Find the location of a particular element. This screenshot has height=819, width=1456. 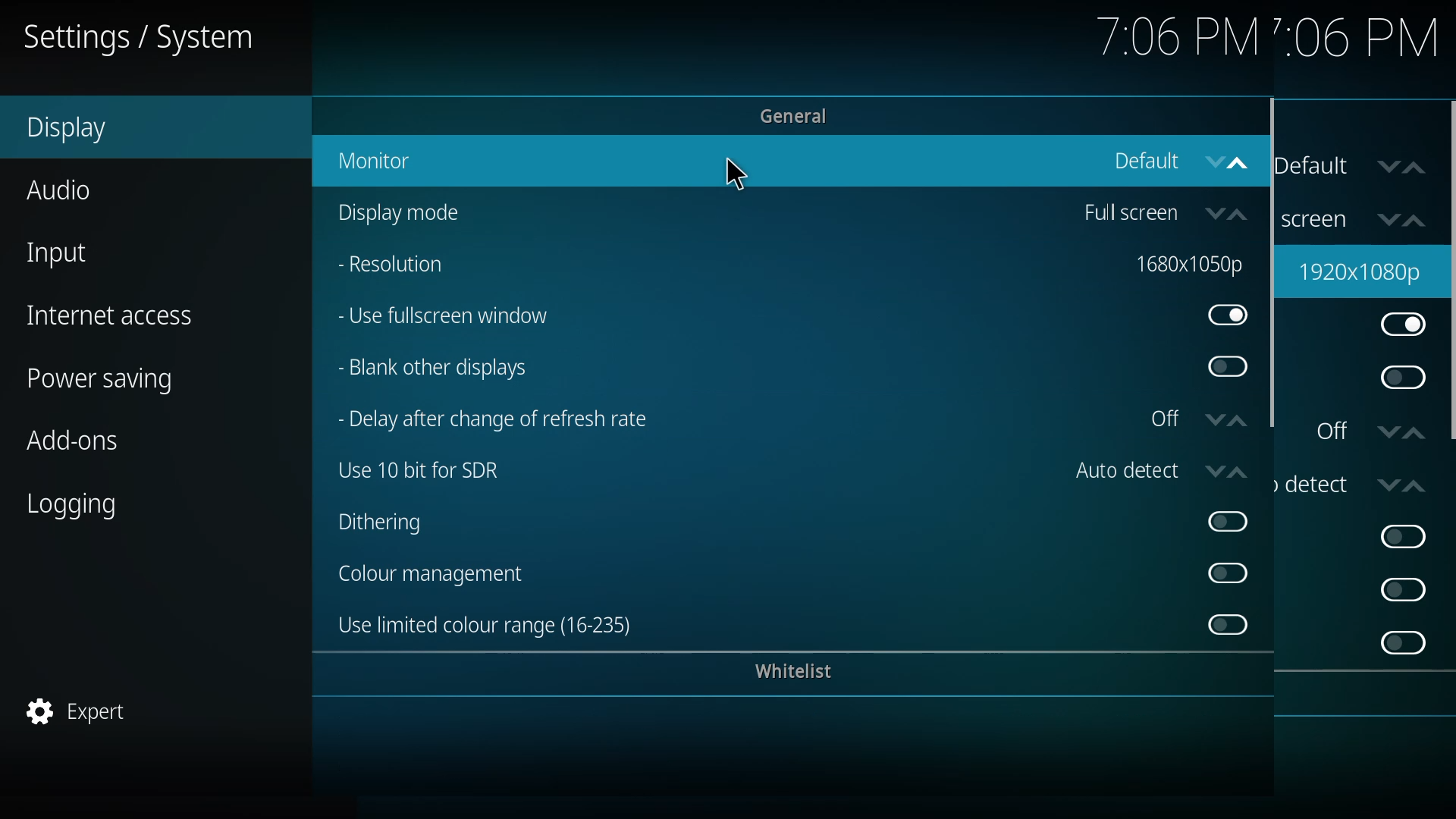

blank other displays is located at coordinates (451, 366).